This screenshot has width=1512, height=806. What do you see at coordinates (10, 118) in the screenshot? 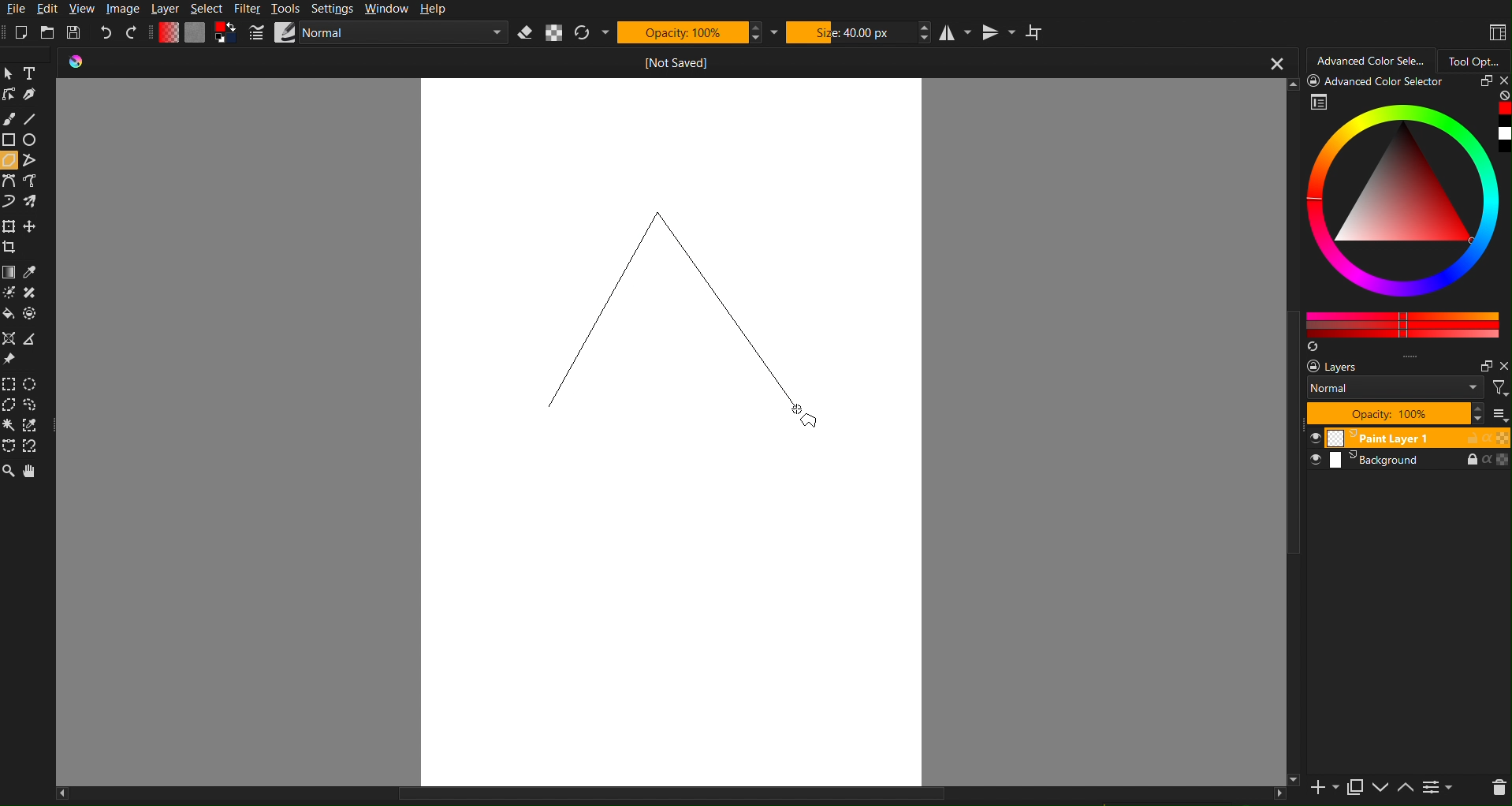
I see `Brush Tools` at bounding box center [10, 118].